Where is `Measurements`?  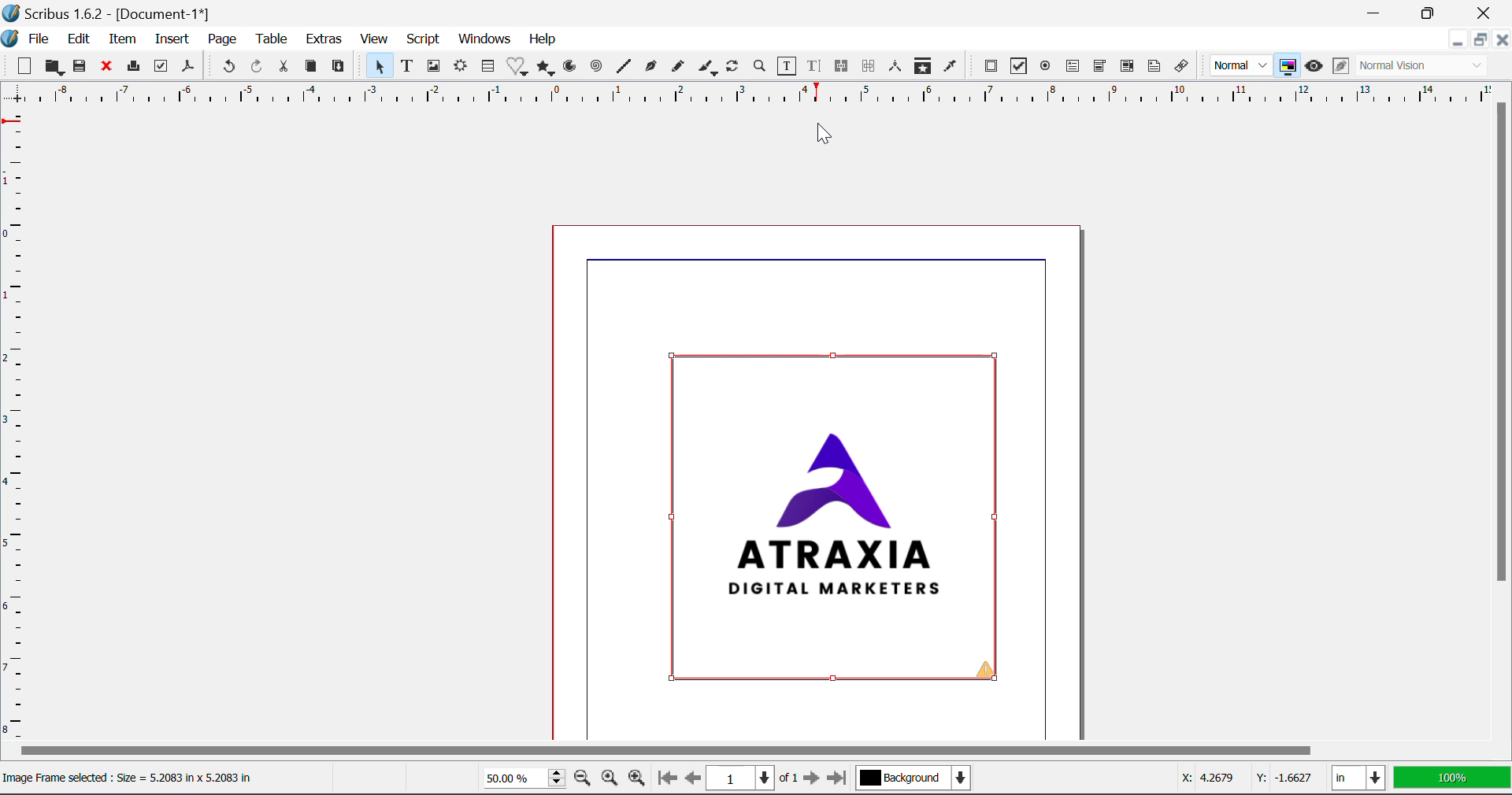
Measurements is located at coordinates (897, 68).